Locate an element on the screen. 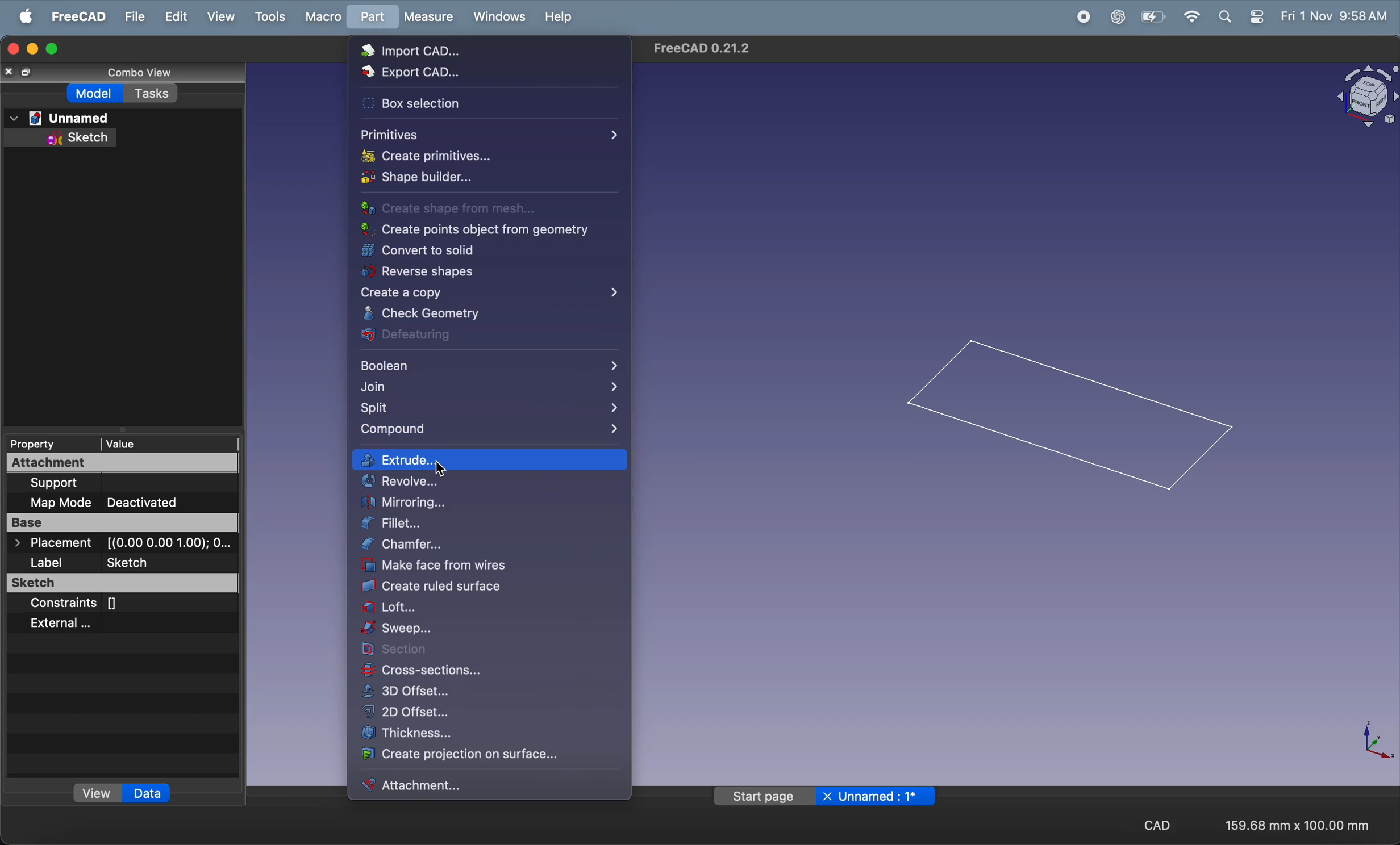 The width and height of the screenshot is (1400, 845). check geometry is located at coordinates (476, 313).